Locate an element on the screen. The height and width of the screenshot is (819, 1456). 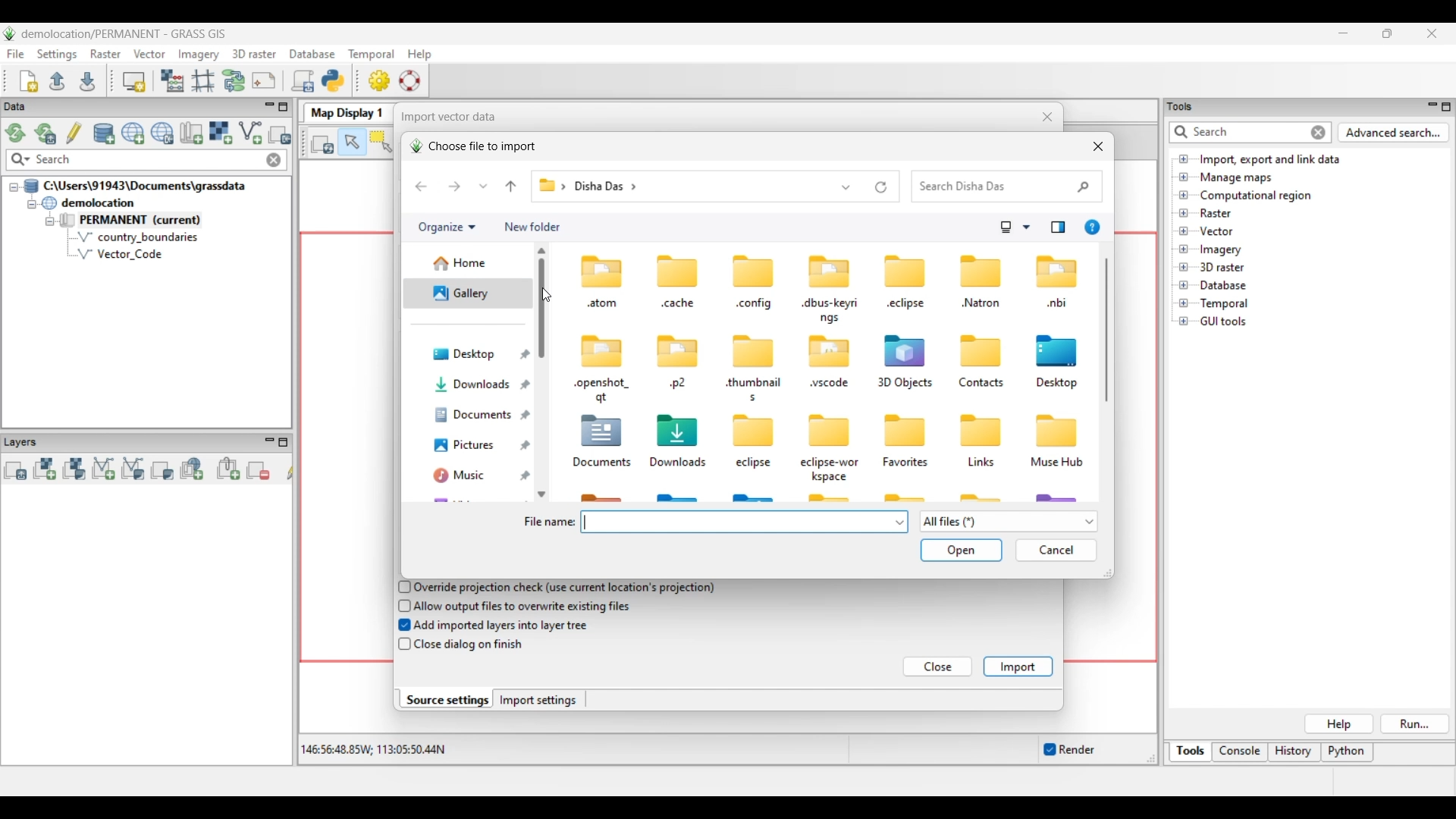
icon is located at coordinates (976, 350).